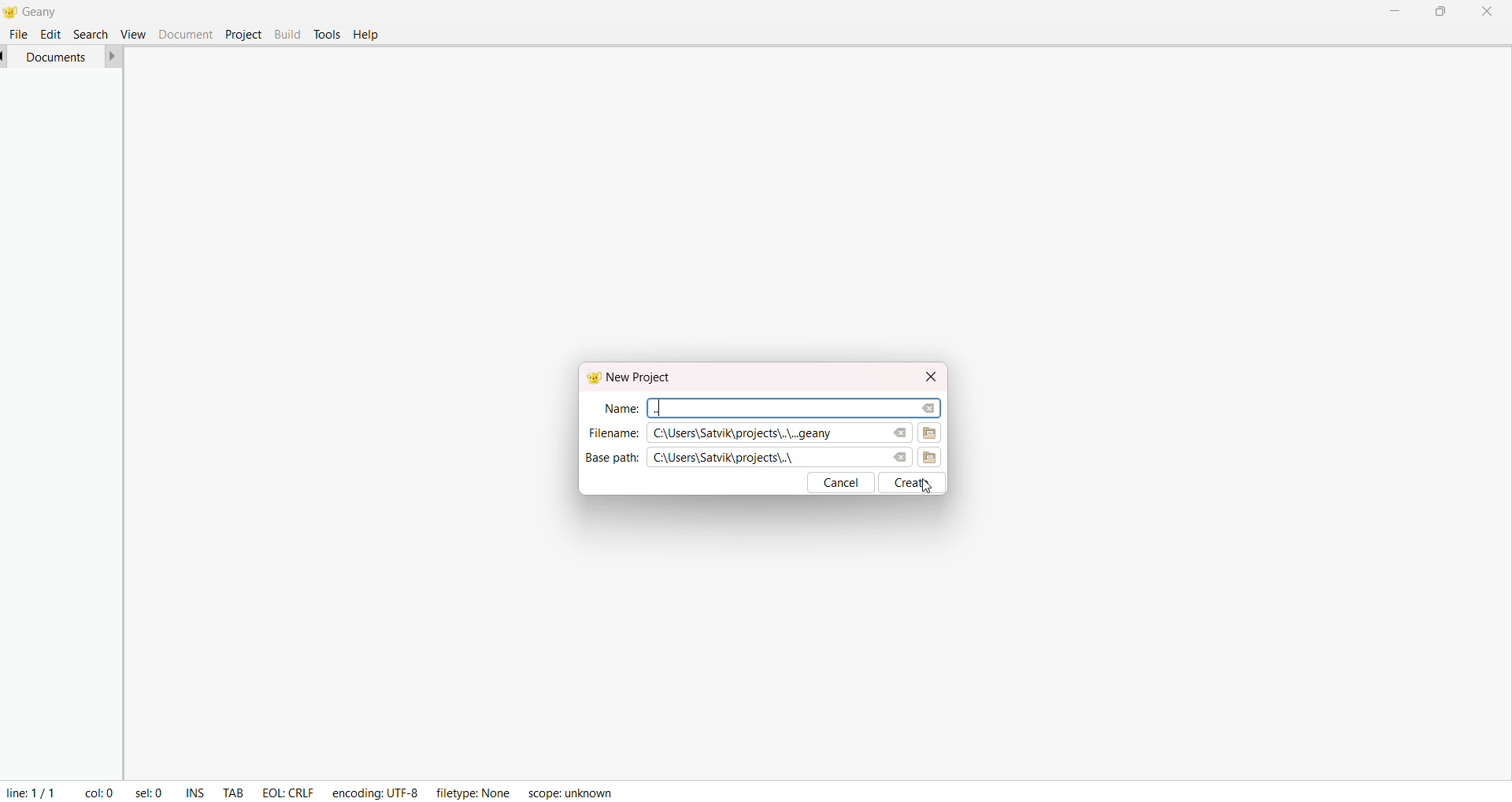 This screenshot has width=1512, height=802. Describe the element at coordinates (5, 56) in the screenshot. I see `back` at that location.